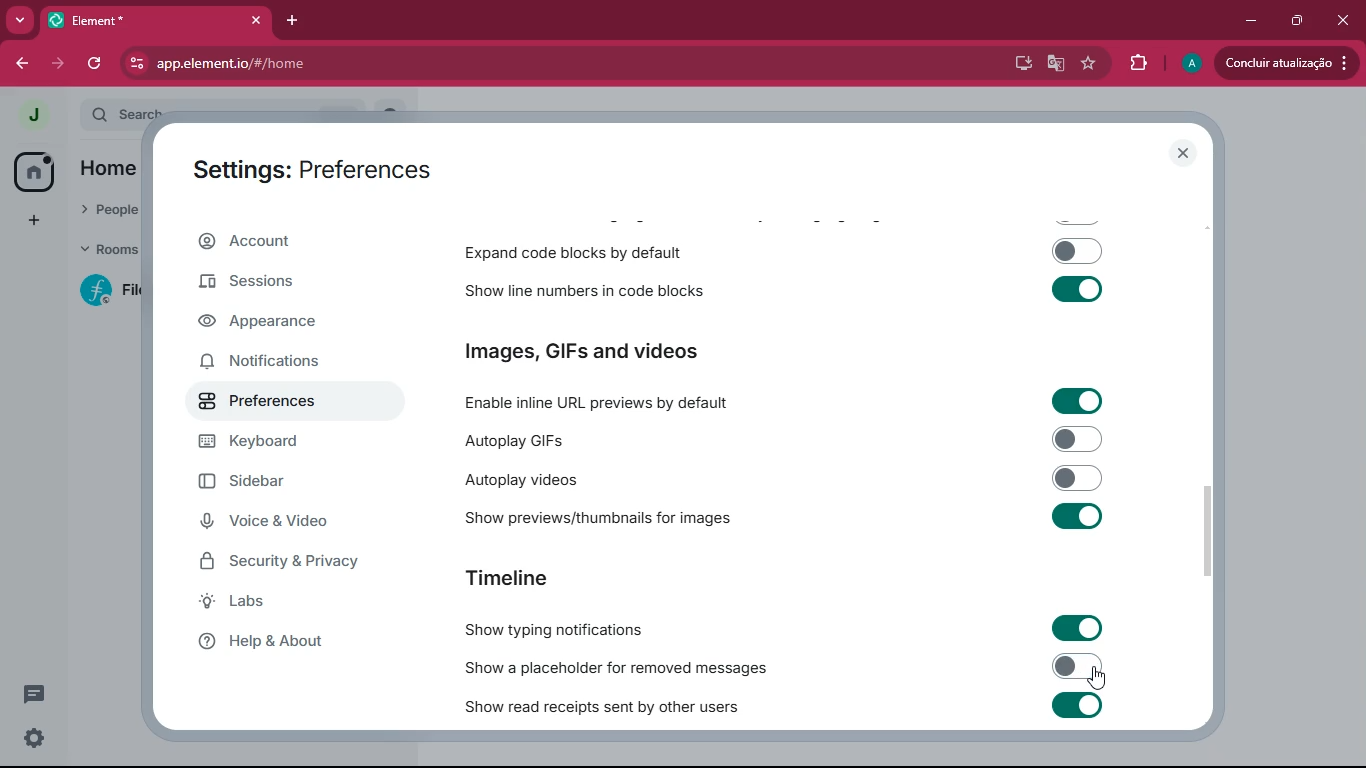  What do you see at coordinates (1019, 64) in the screenshot?
I see `desktop` at bounding box center [1019, 64].